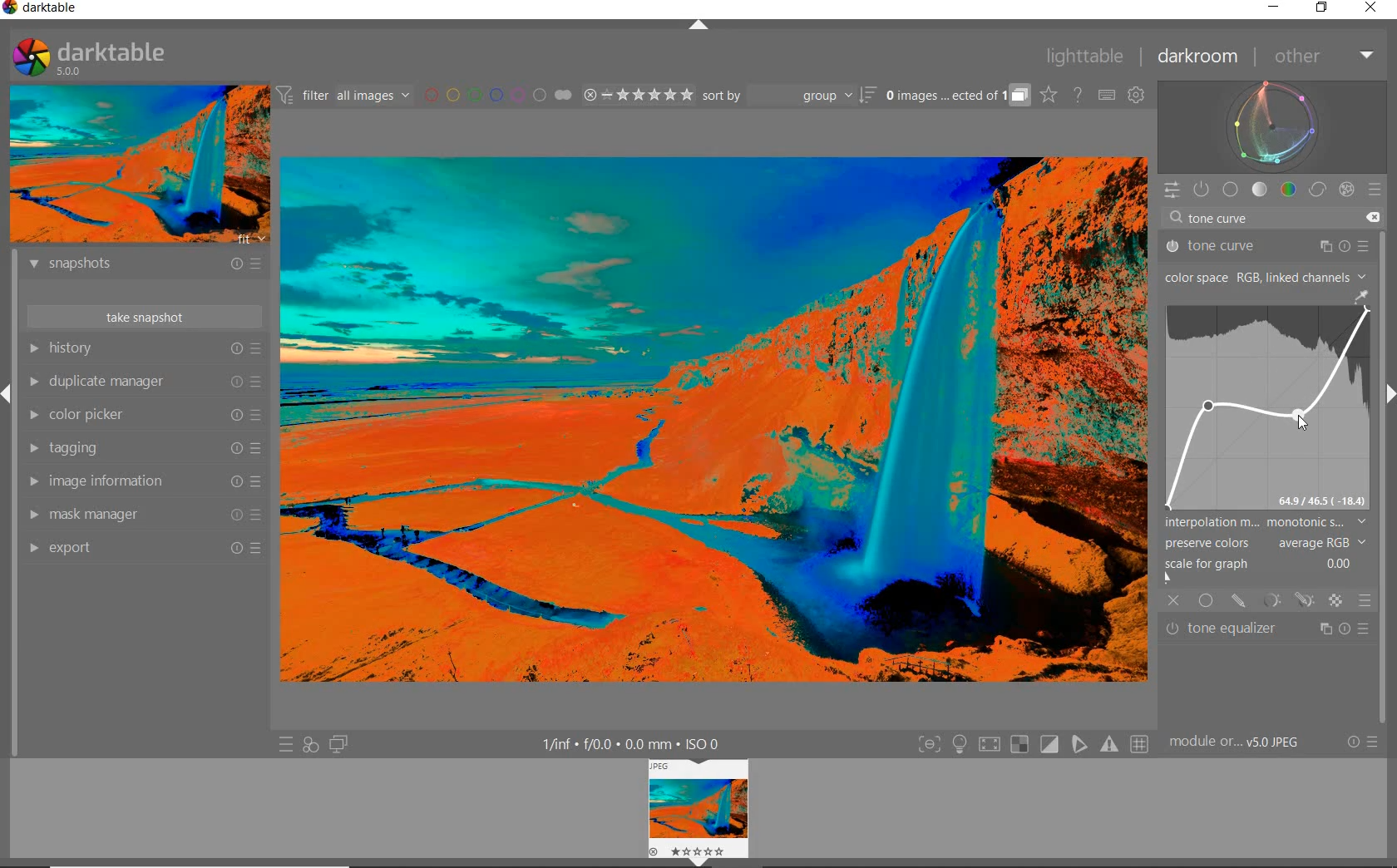  I want to click on Expand/Collapse, so click(701, 862).